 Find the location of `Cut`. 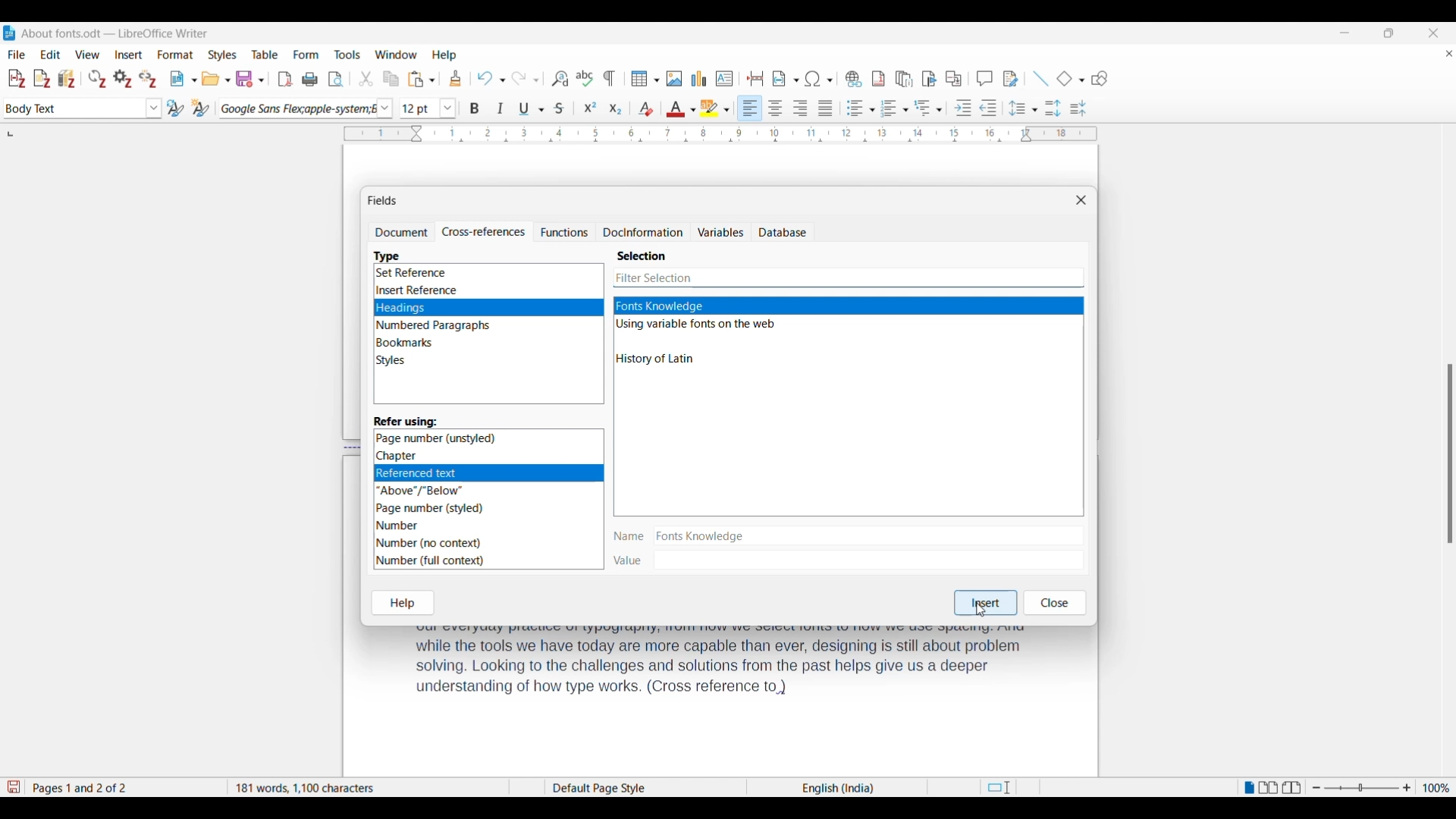

Cut is located at coordinates (366, 78).